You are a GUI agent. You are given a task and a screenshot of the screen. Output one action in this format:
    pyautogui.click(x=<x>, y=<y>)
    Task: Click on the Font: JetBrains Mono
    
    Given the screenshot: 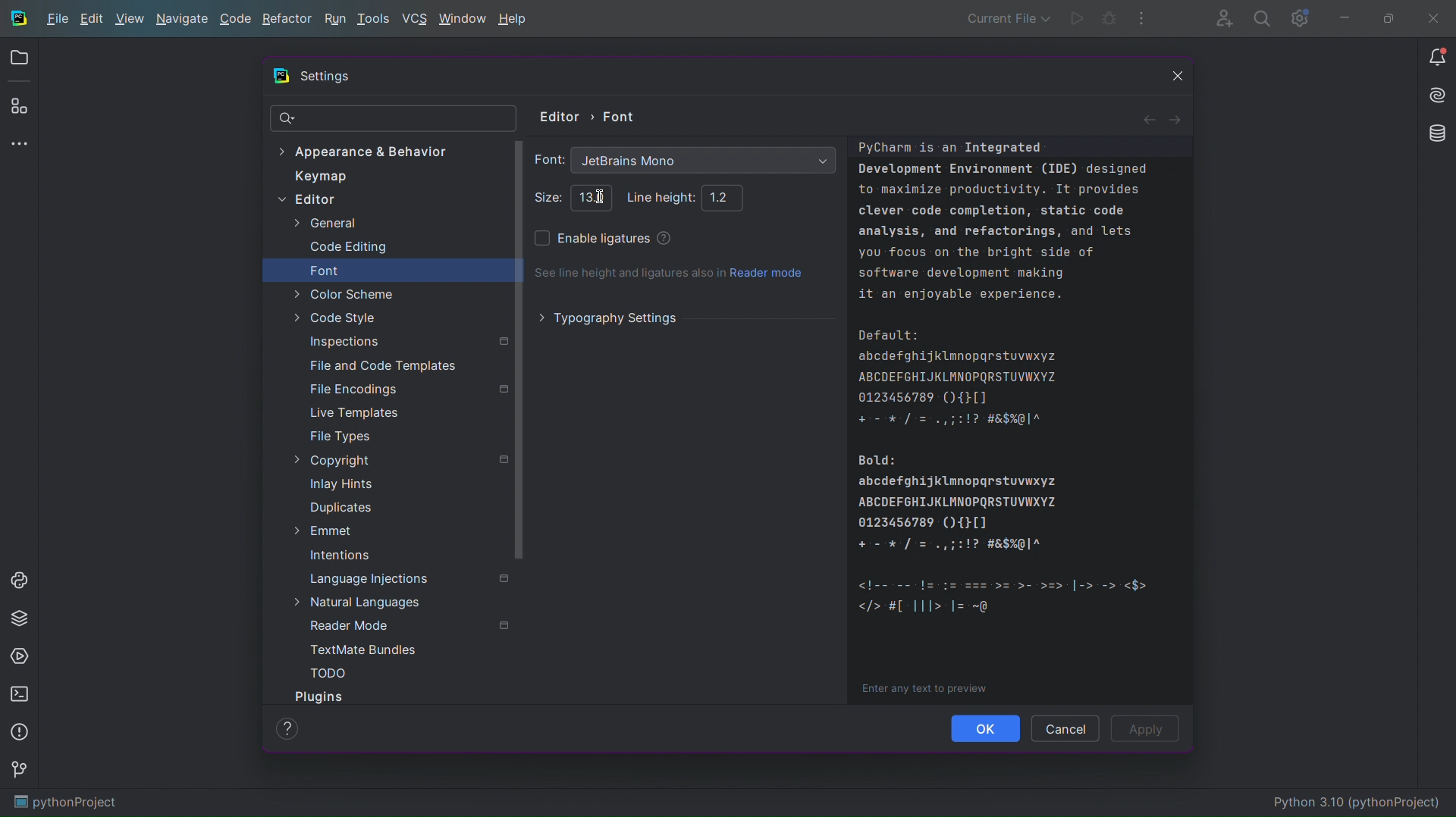 What is the action you would take?
    pyautogui.click(x=704, y=161)
    